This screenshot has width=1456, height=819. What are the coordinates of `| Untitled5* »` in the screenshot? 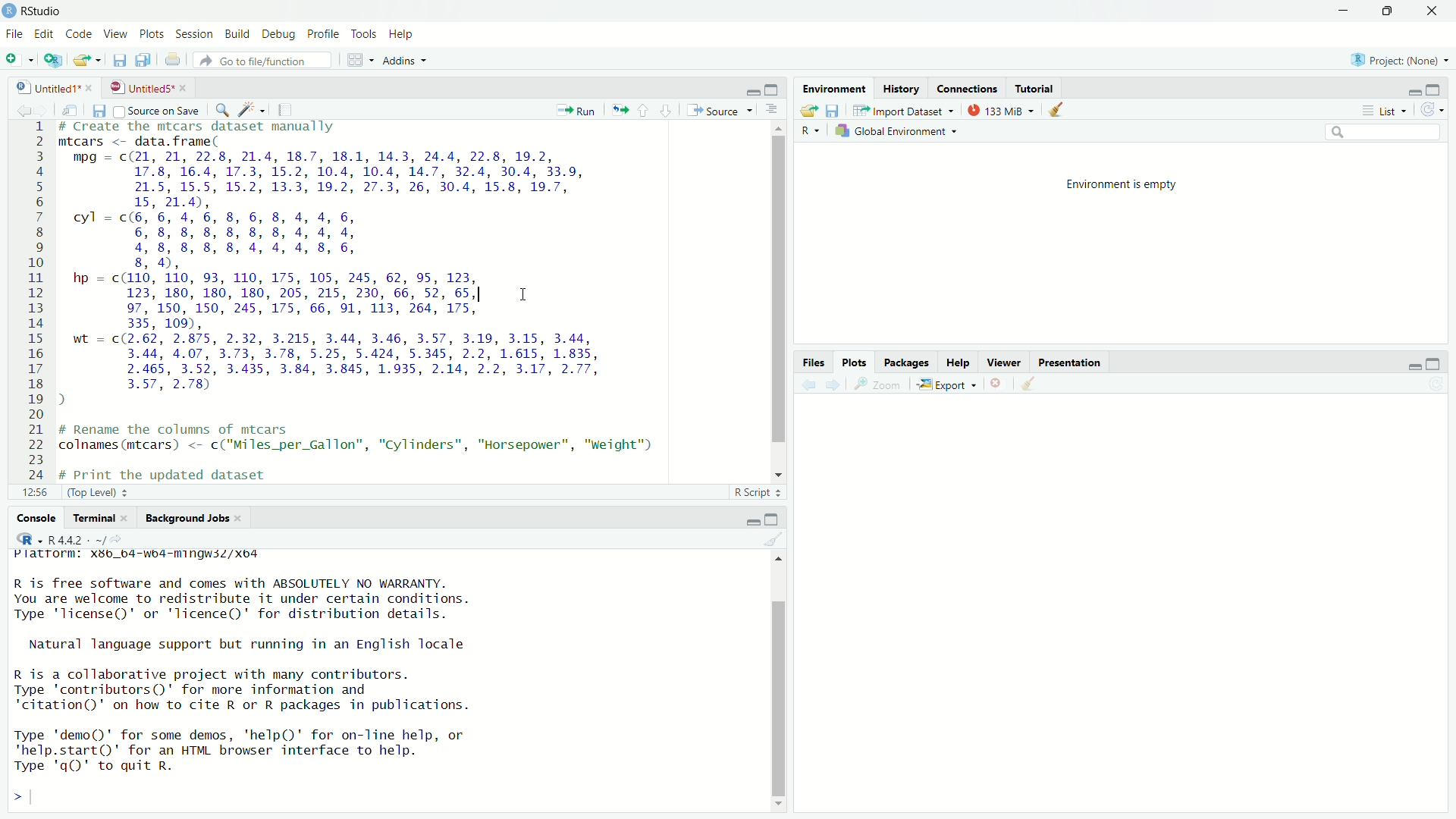 It's located at (147, 86).